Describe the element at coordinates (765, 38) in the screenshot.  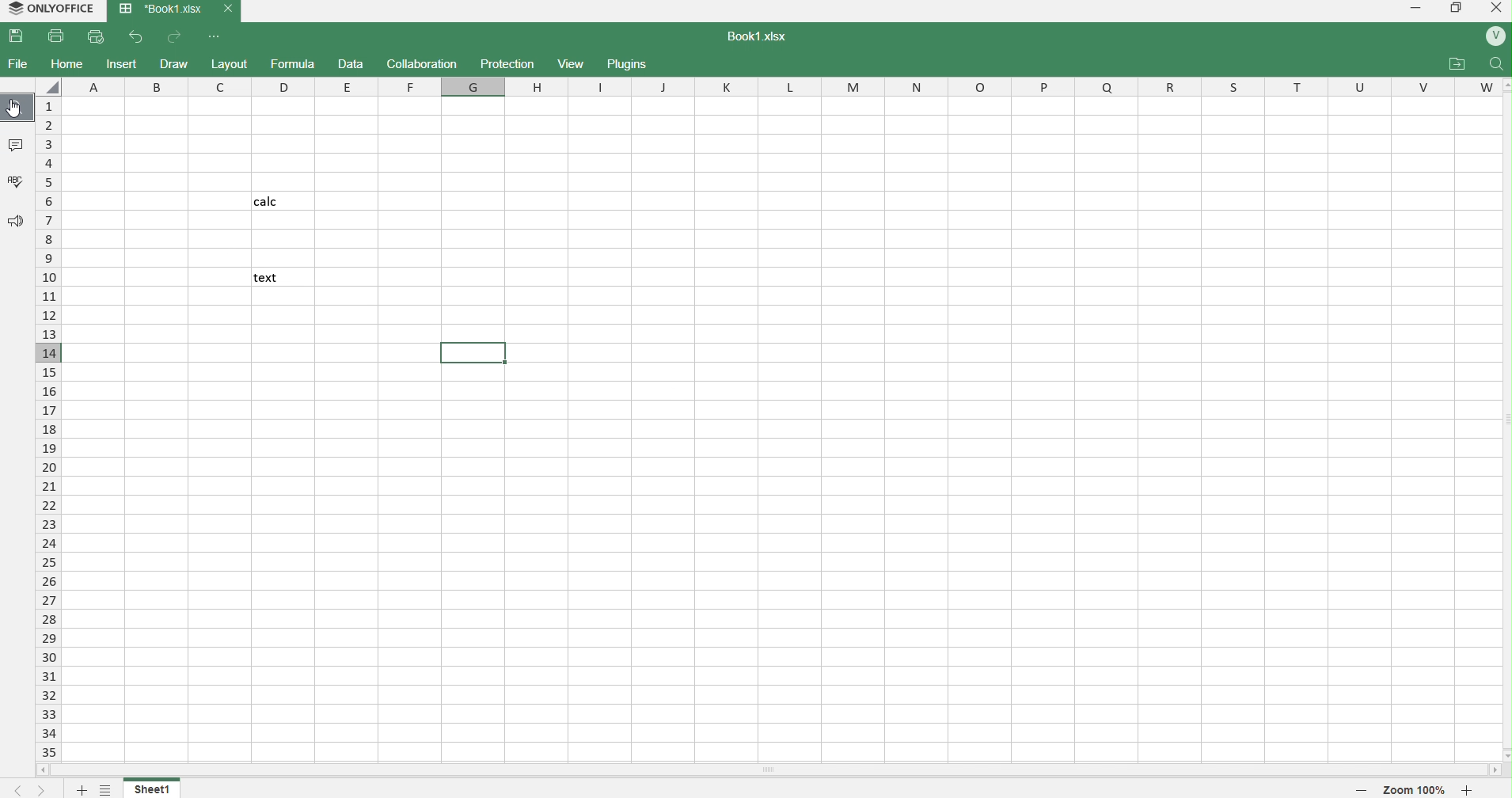
I see `book1.xlsx` at that location.